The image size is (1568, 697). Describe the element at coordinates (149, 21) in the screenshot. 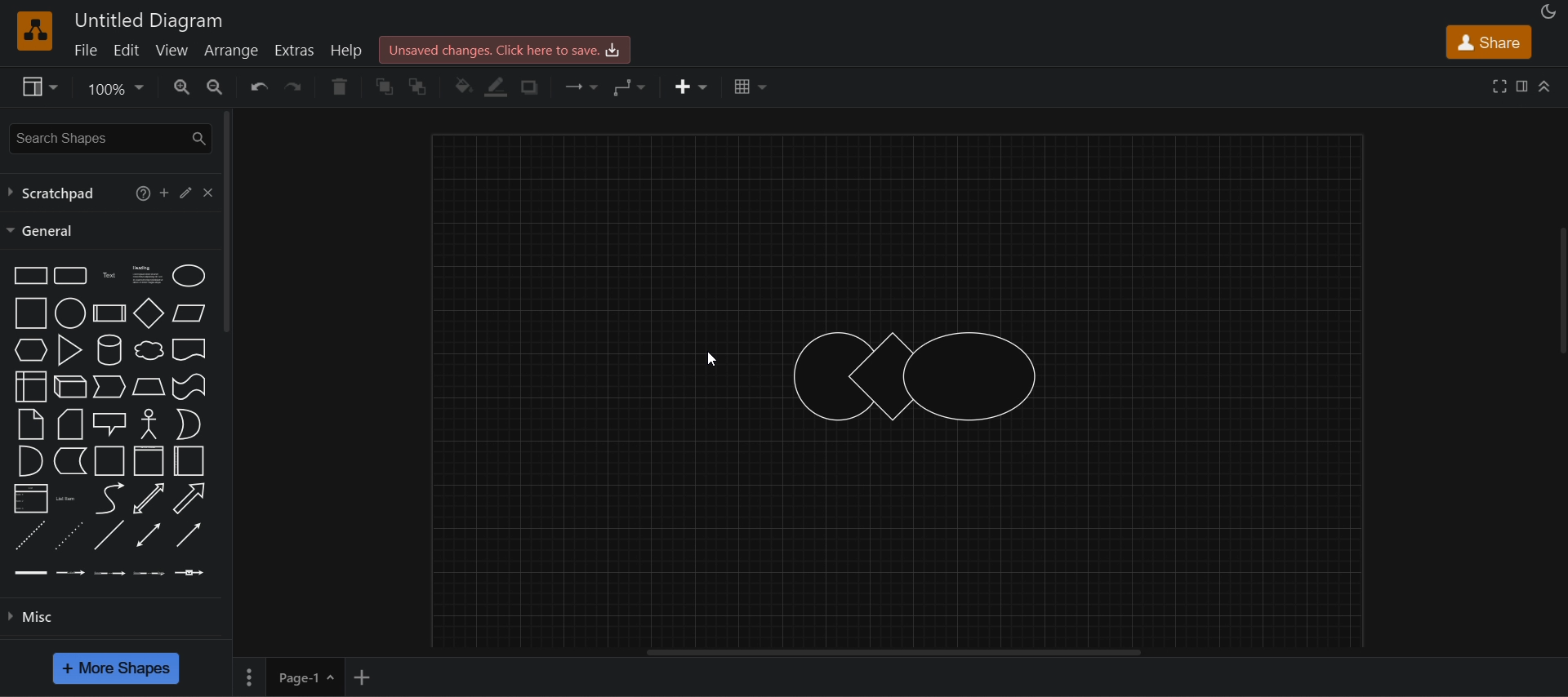

I see `title` at that location.